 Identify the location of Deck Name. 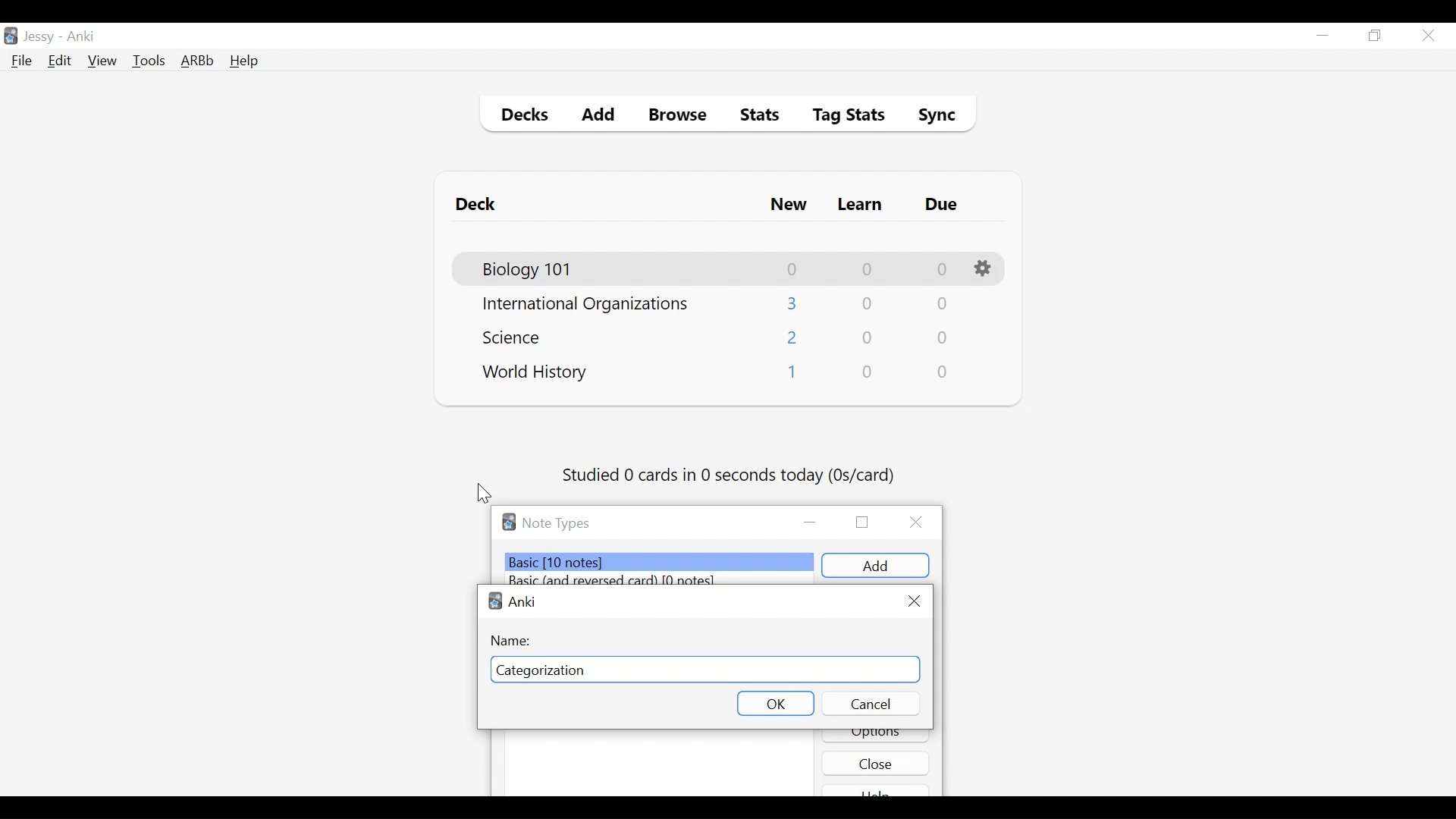
(529, 270).